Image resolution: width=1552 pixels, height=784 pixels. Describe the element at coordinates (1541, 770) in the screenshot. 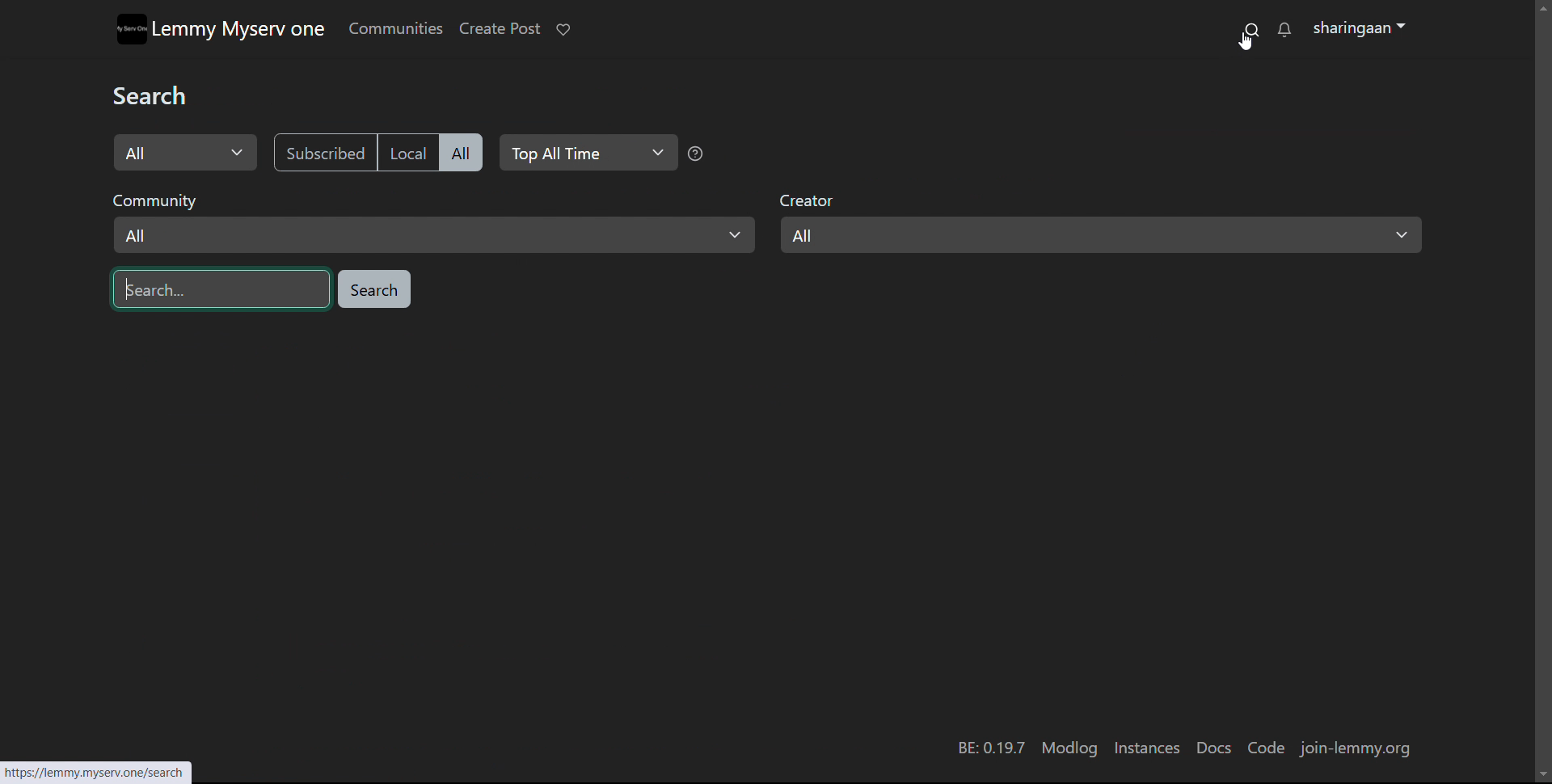

I see `Scroll Down` at that location.